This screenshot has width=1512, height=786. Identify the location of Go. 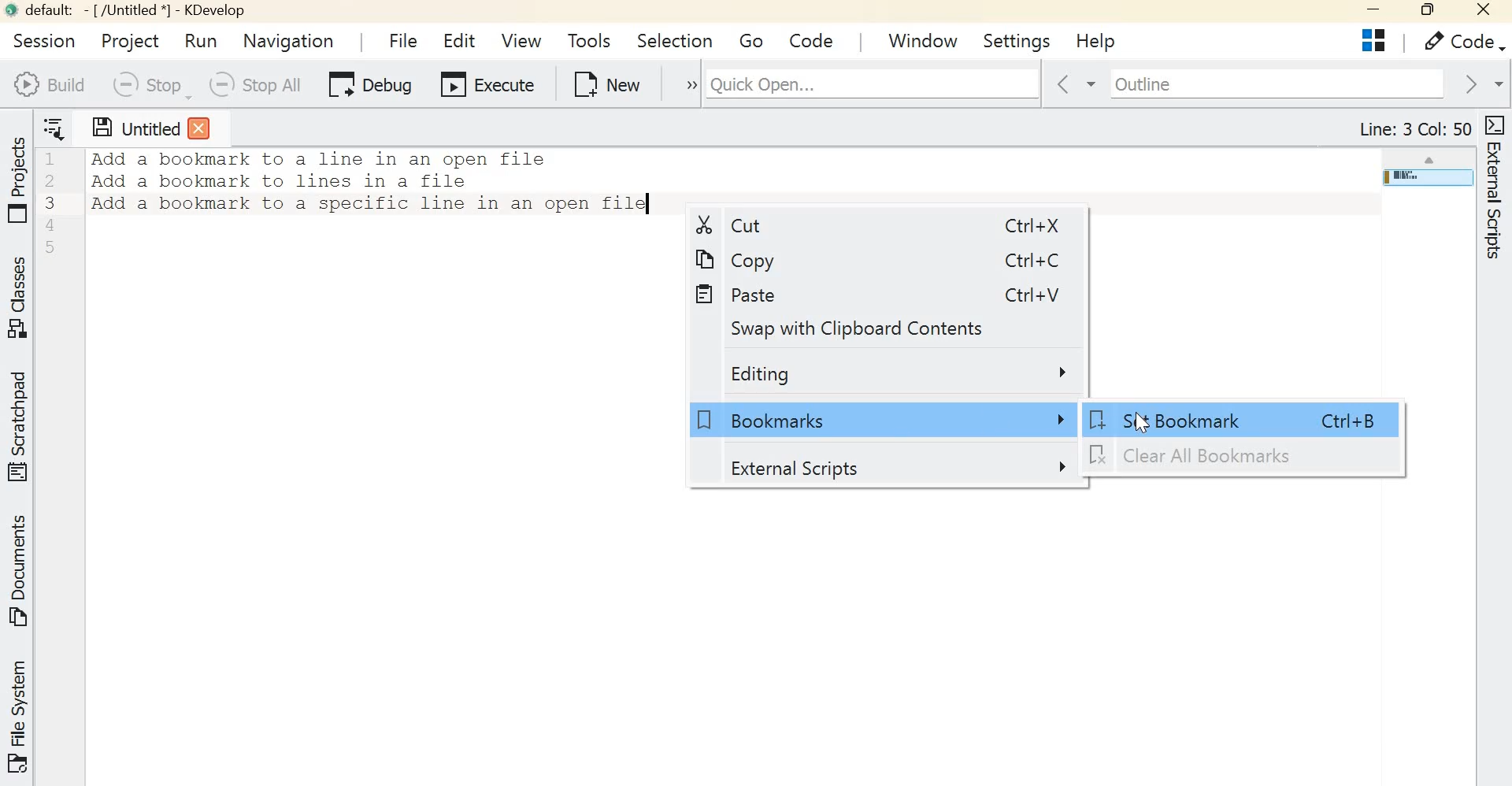
(754, 39).